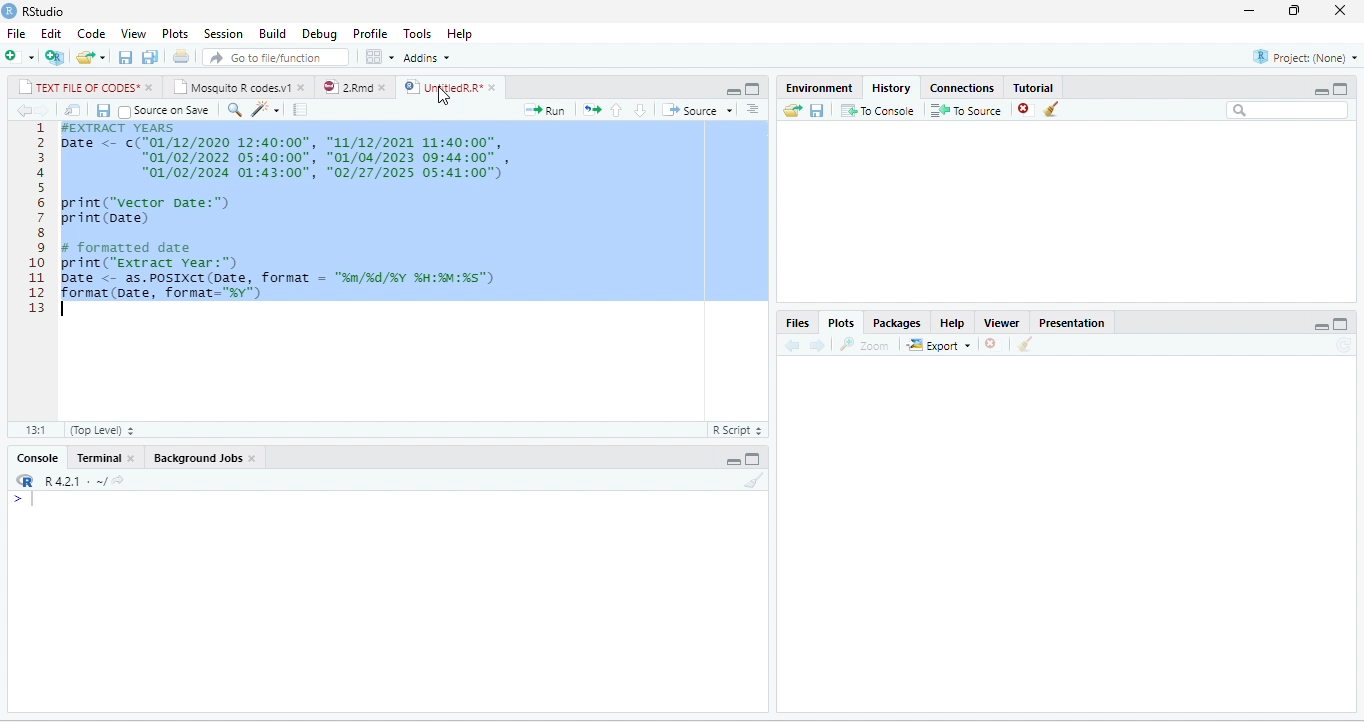 Image resolution: width=1364 pixels, height=722 pixels. I want to click on maximize, so click(752, 458).